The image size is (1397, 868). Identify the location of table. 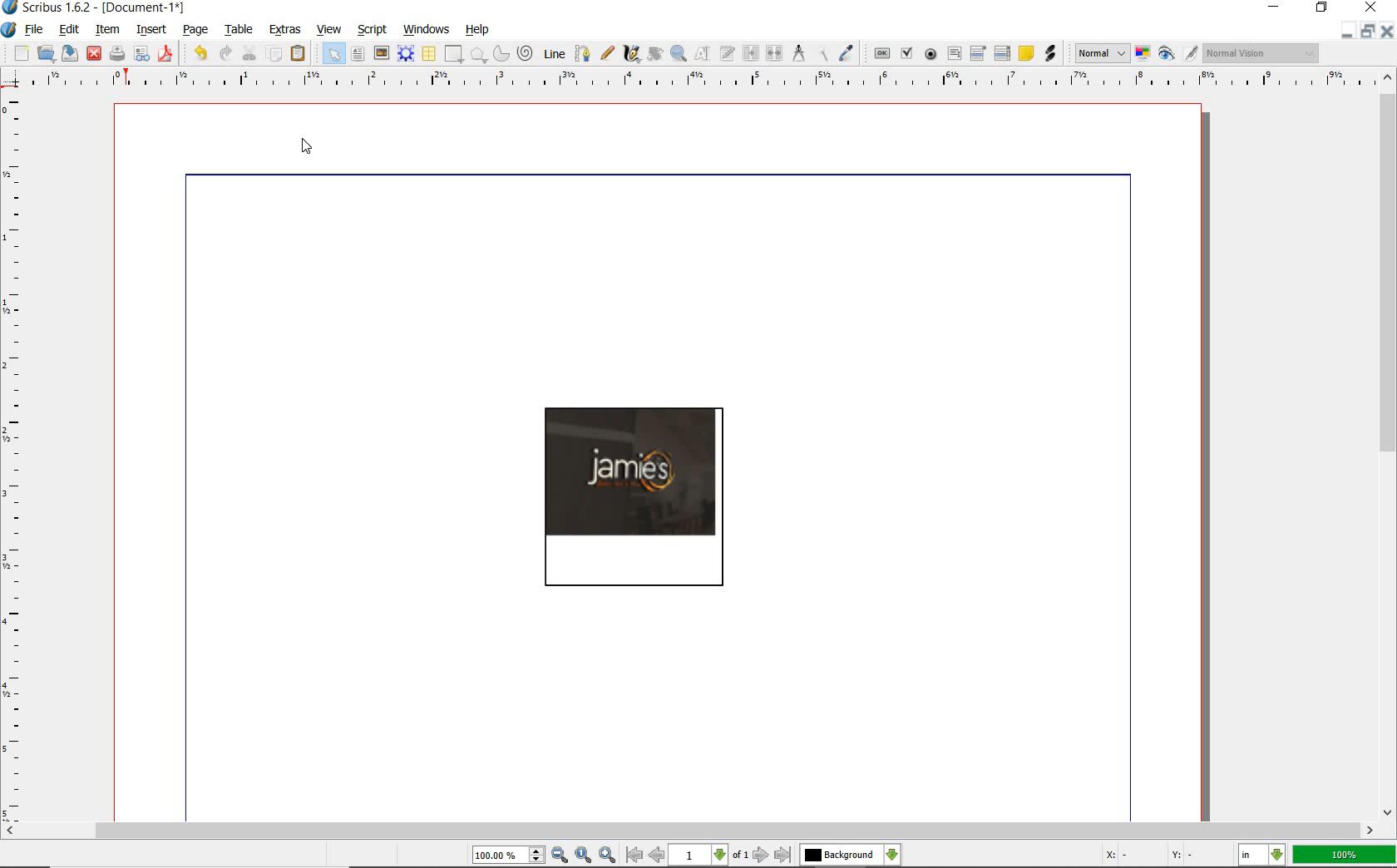
(430, 55).